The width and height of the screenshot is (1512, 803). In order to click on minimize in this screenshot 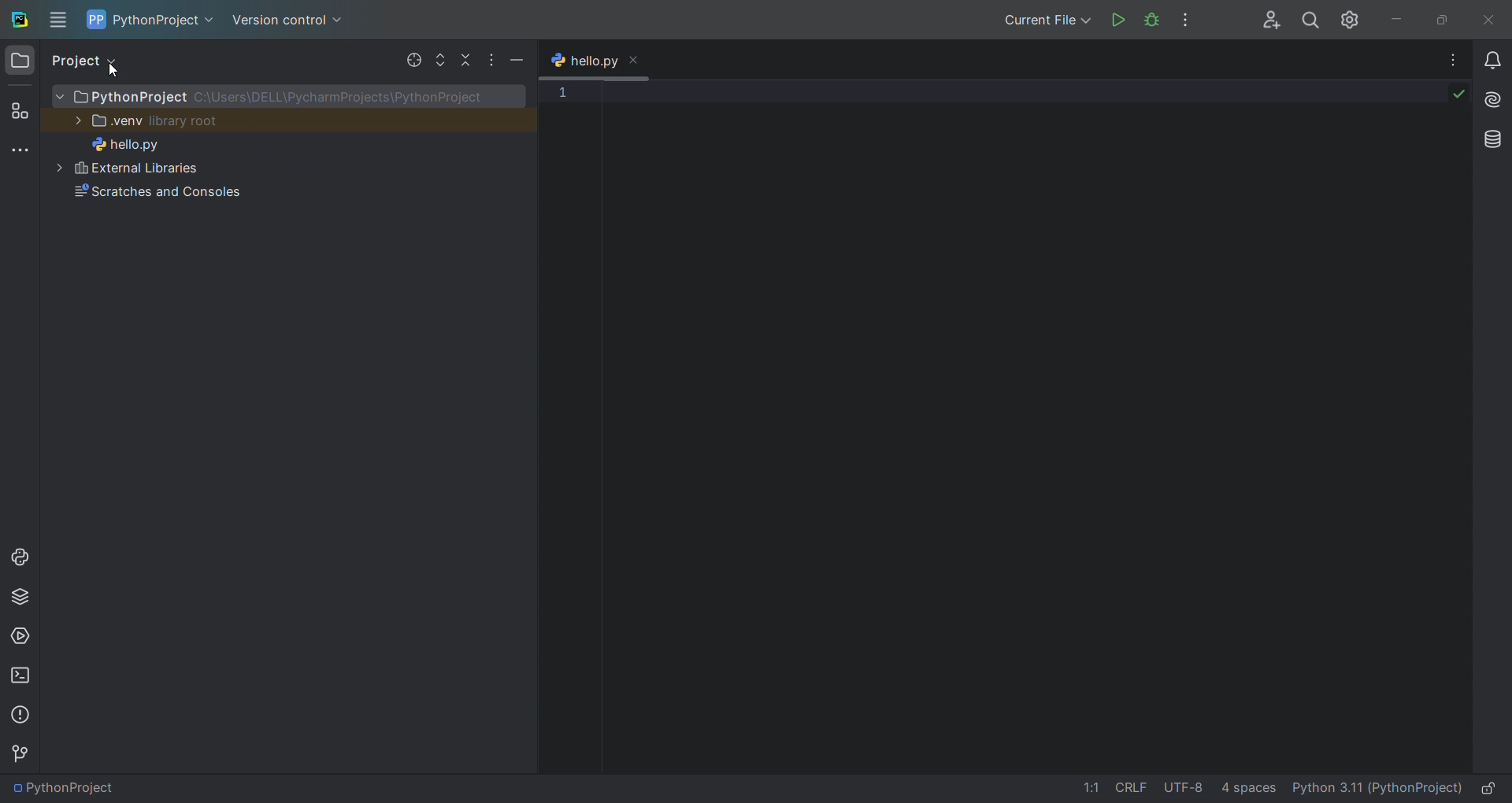, I will do `click(1393, 18)`.